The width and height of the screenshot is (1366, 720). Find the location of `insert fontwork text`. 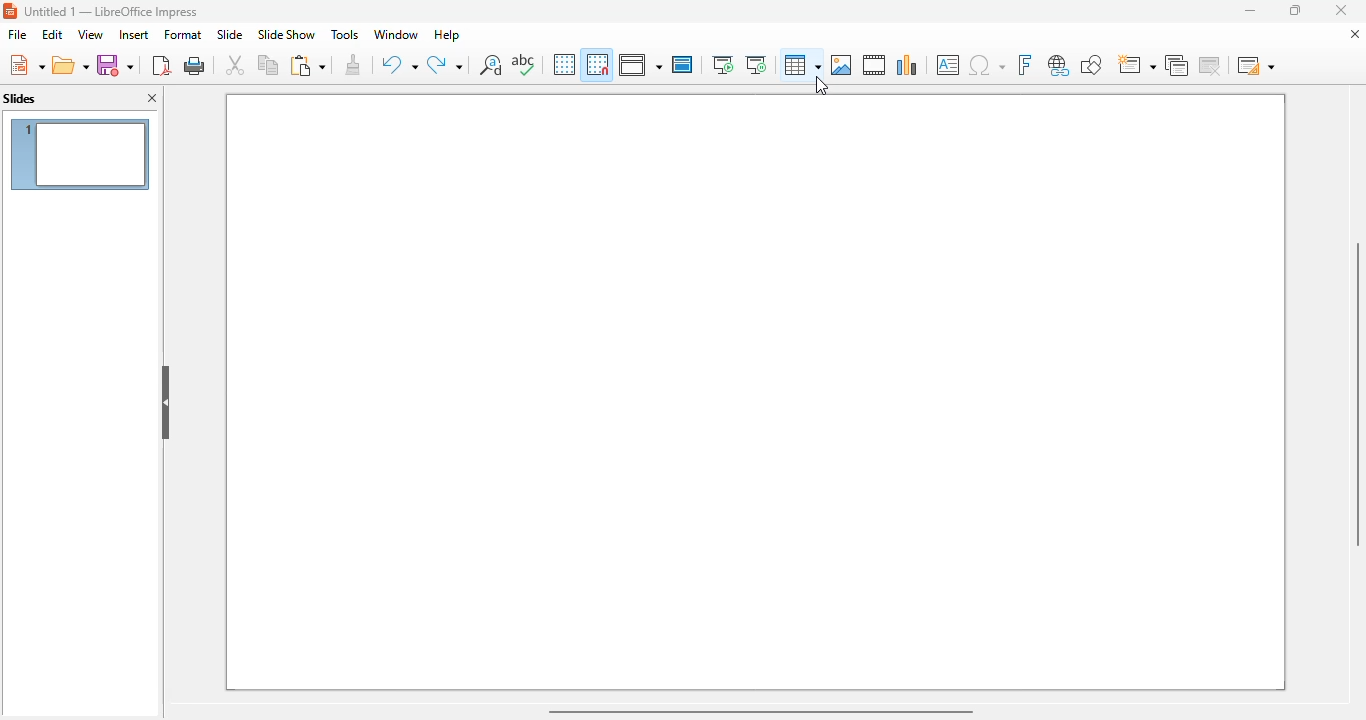

insert fontwork text is located at coordinates (1025, 65).